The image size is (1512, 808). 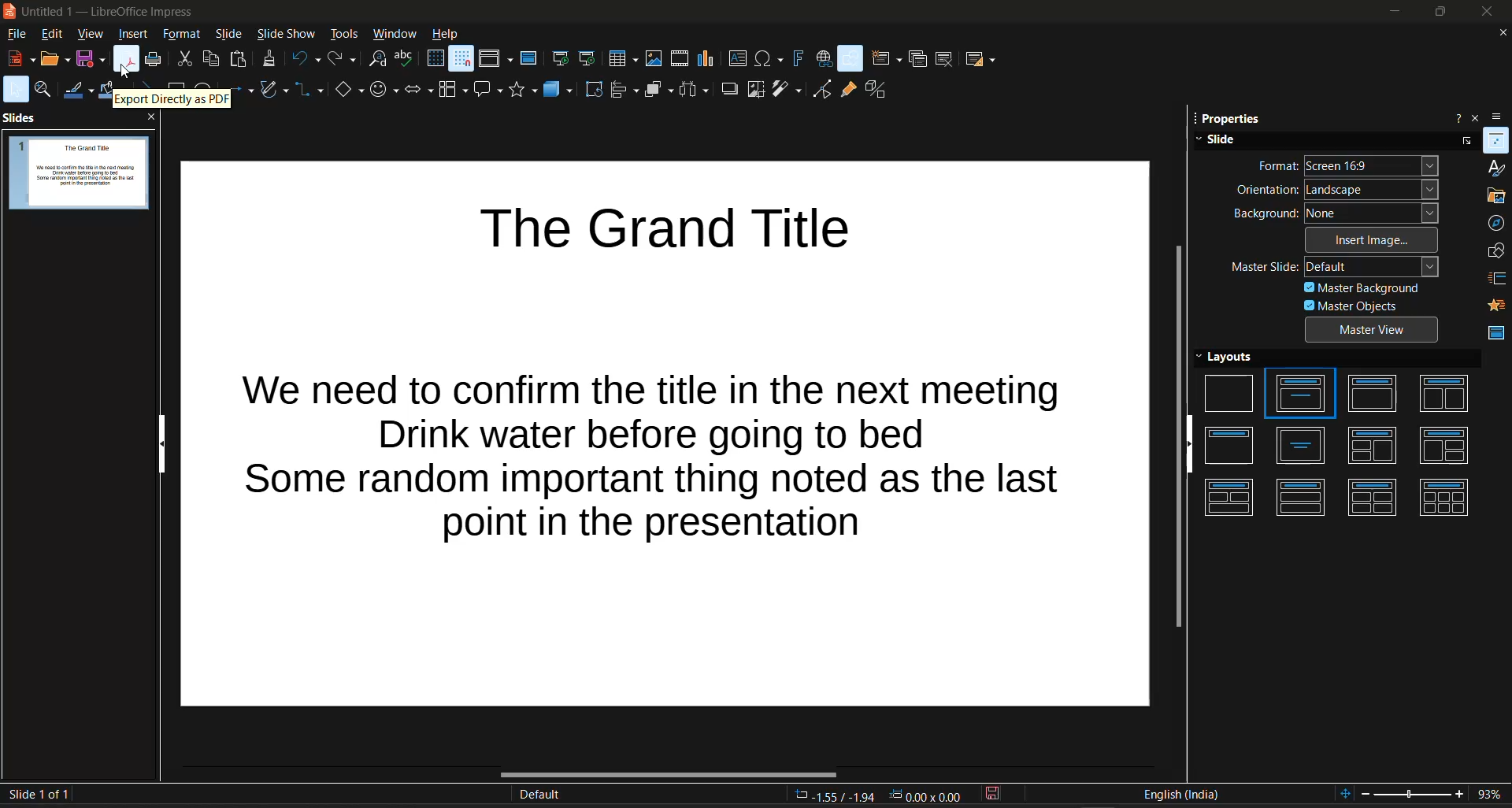 I want to click on curves and polygons, so click(x=269, y=91).